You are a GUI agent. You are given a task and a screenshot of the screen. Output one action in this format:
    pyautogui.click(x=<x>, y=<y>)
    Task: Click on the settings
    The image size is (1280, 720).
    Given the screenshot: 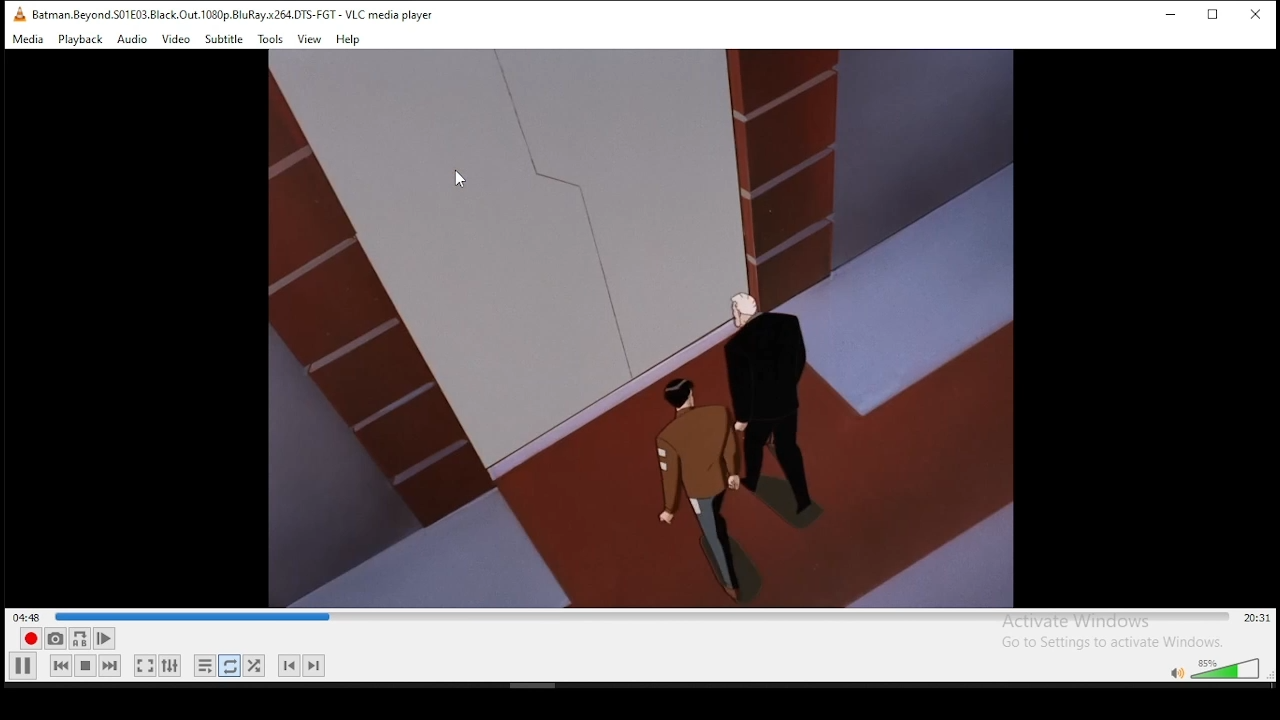 What is the action you would take?
    pyautogui.click(x=175, y=665)
    